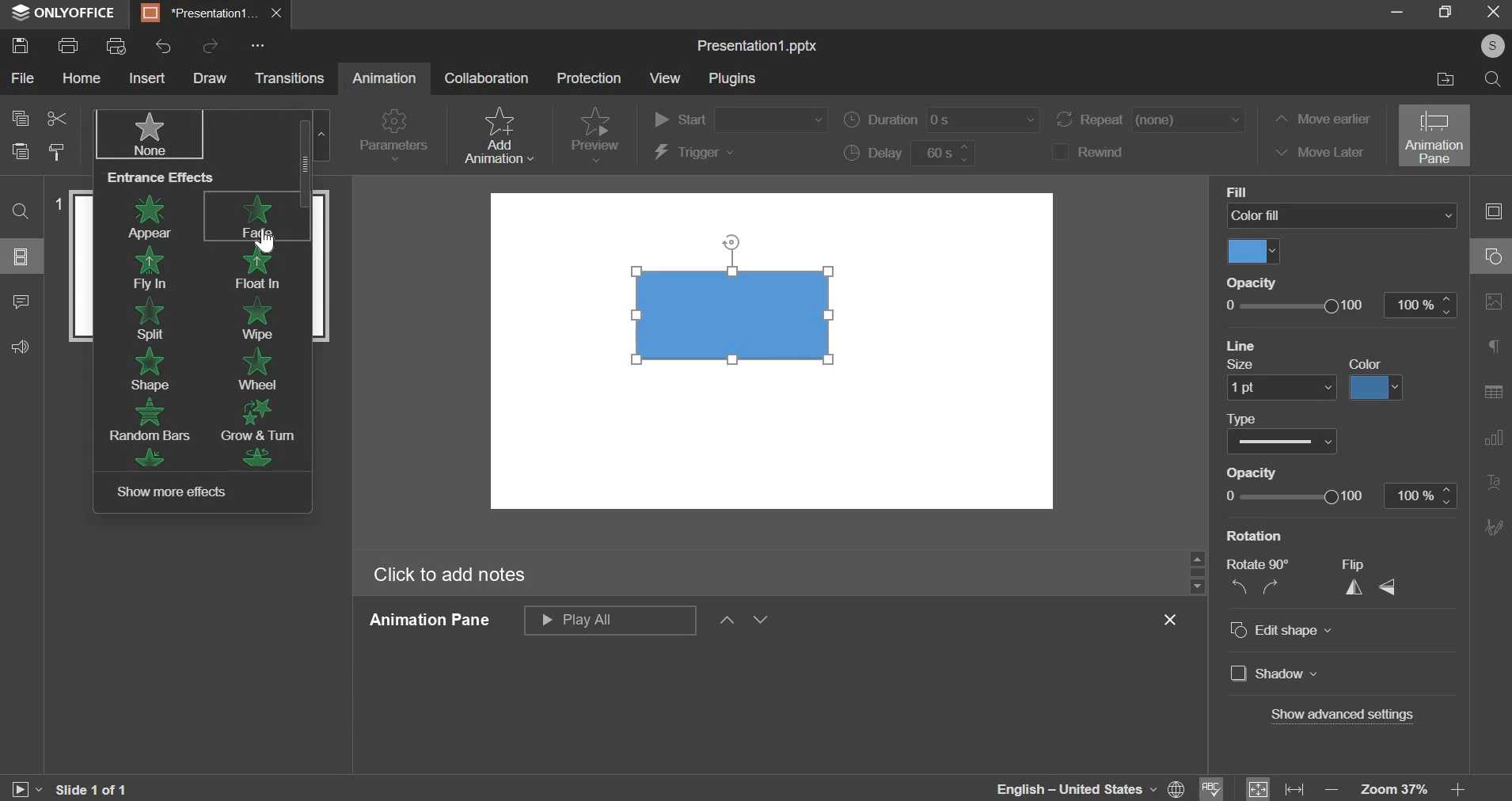 Image resolution: width=1512 pixels, height=801 pixels. I want to click on size, so click(1245, 364).